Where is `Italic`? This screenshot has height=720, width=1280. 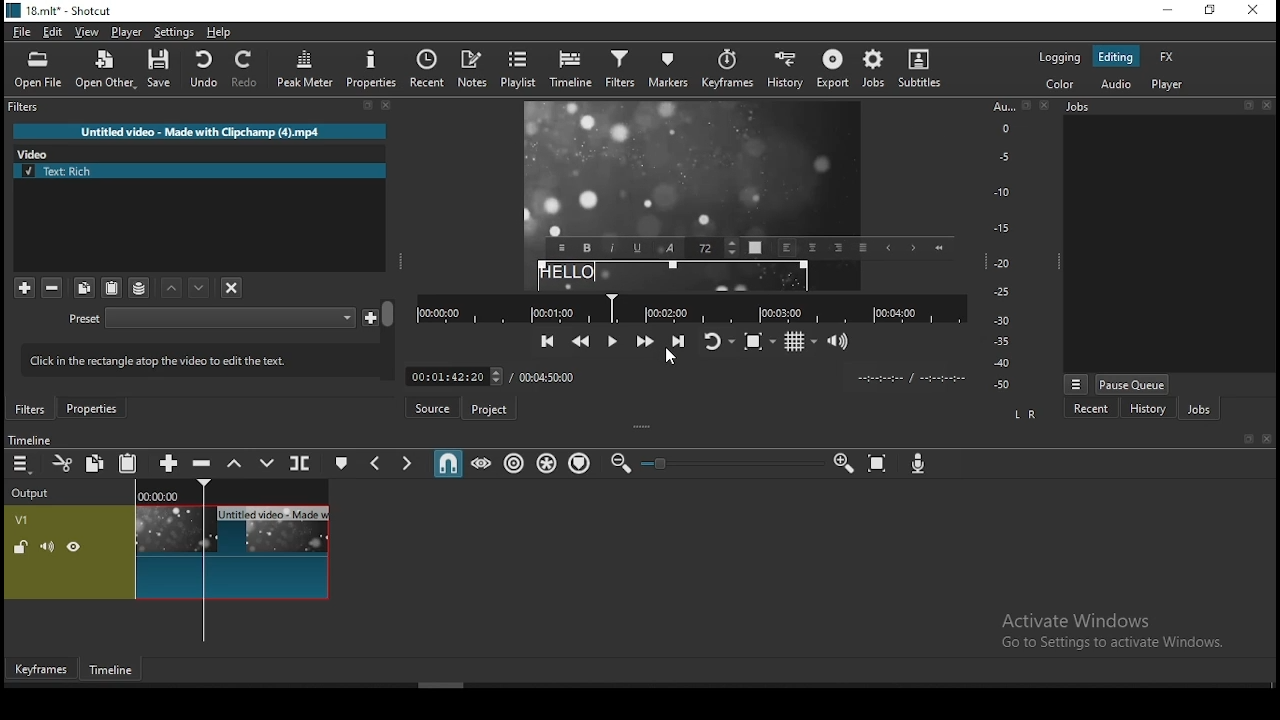 Italic is located at coordinates (612, 247).